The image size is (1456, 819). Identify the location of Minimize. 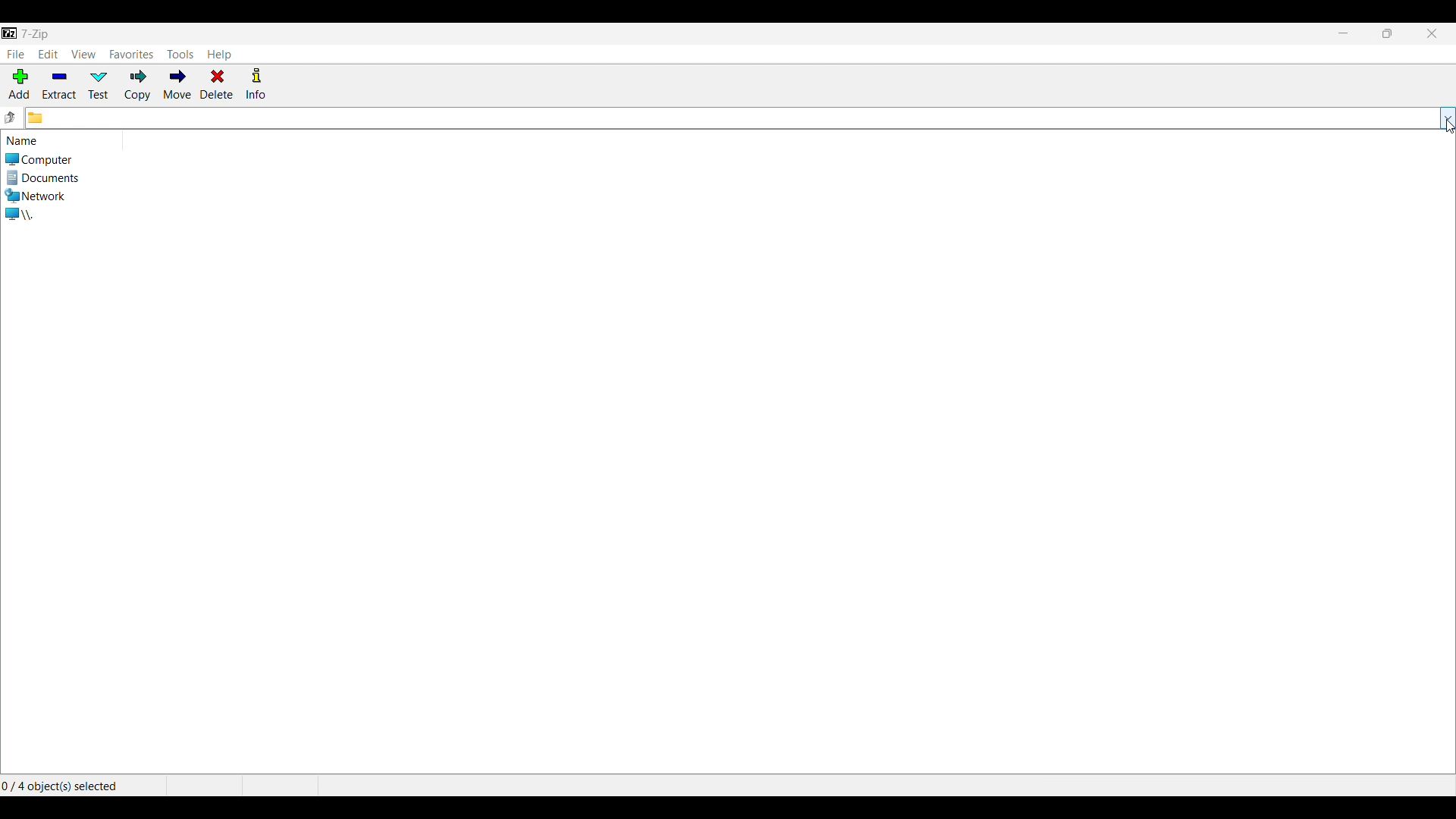
(1343, 33).